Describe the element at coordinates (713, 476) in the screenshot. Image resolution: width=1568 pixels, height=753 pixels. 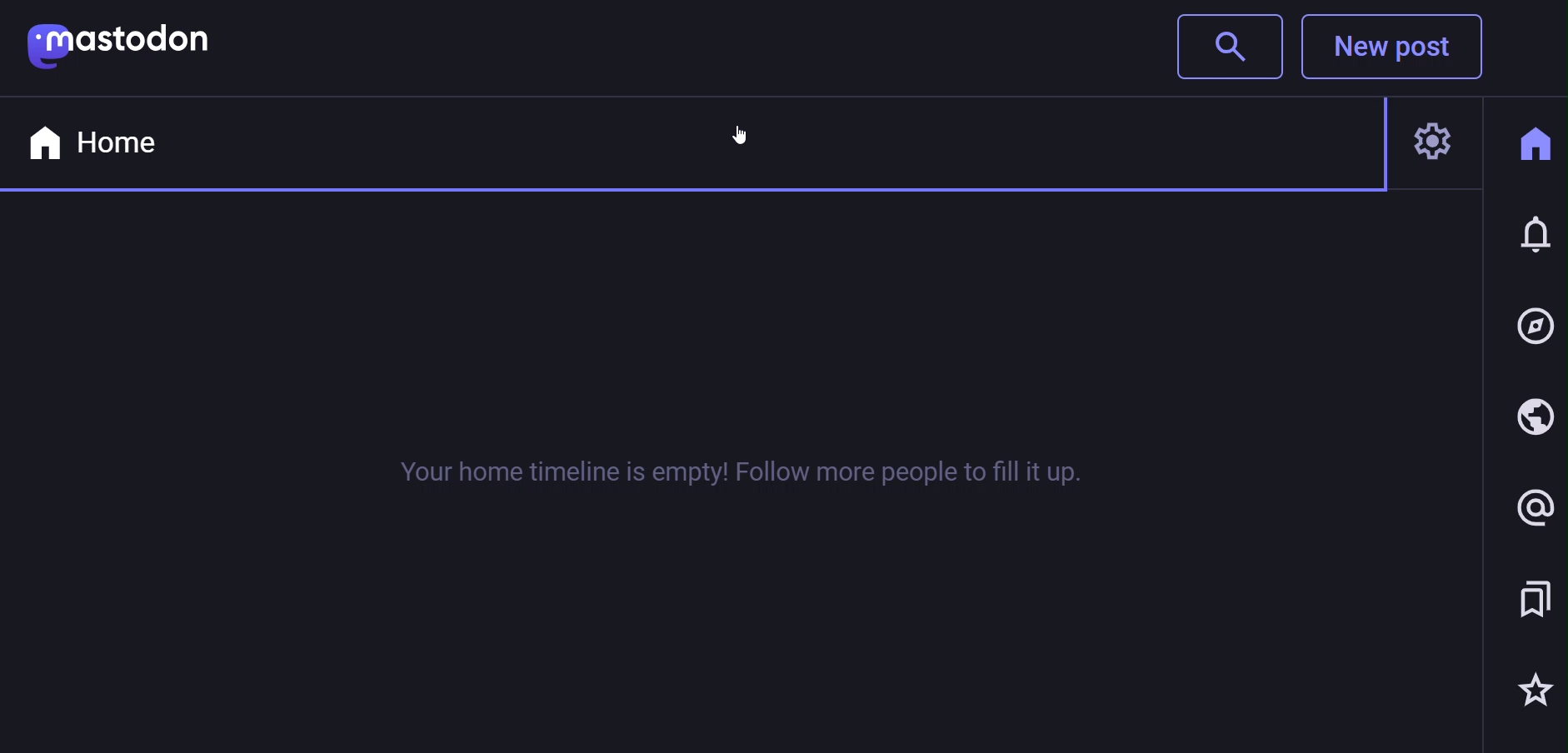
I see `Your home timeline is empty! Follow more people to fill it up.` at that location.